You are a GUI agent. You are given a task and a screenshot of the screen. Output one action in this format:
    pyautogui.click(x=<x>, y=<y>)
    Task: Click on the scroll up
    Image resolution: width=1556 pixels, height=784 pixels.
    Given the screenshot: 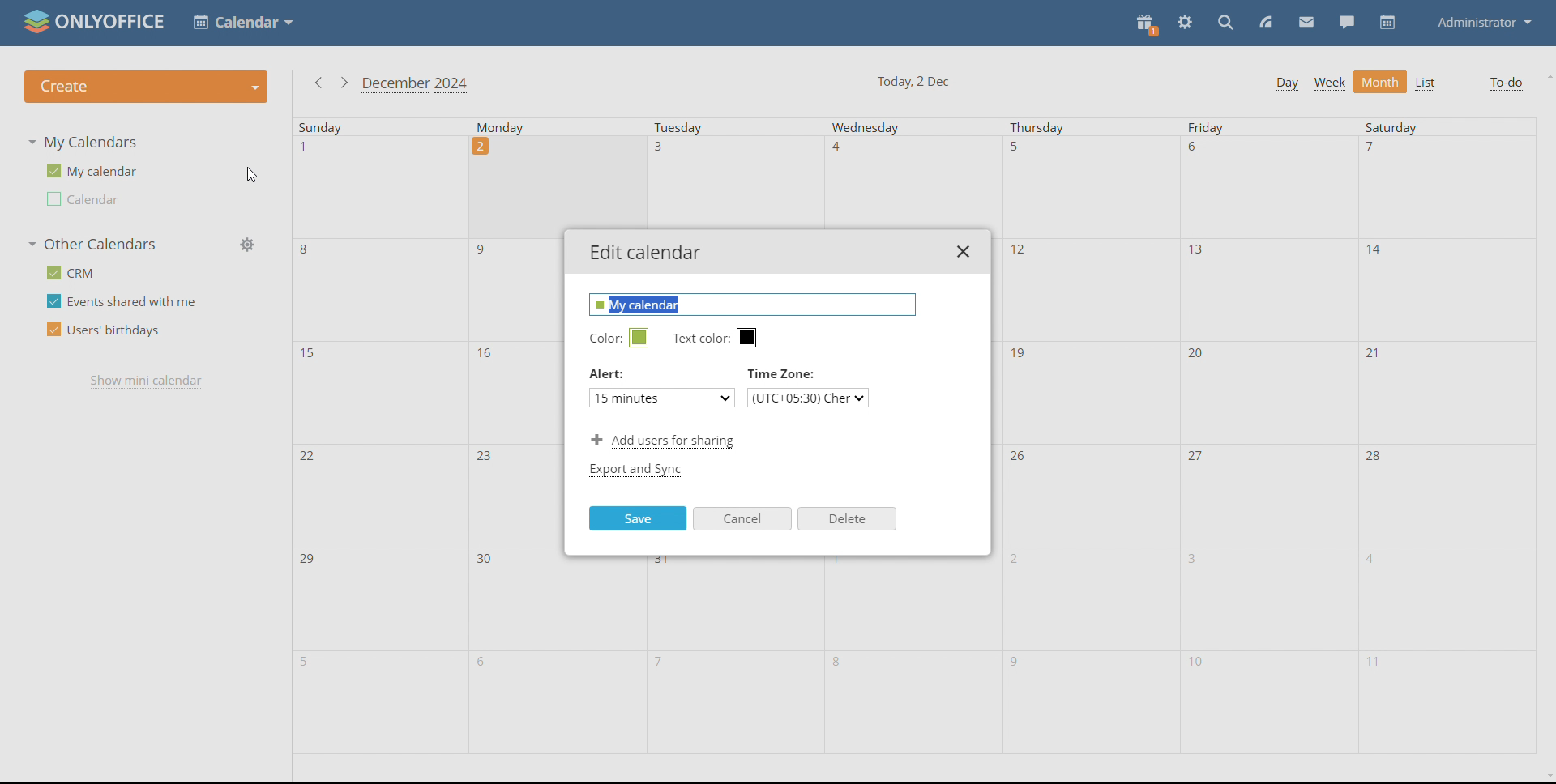 What is the action you would take?
    pyautogui.click(x=1549, y=76)
    